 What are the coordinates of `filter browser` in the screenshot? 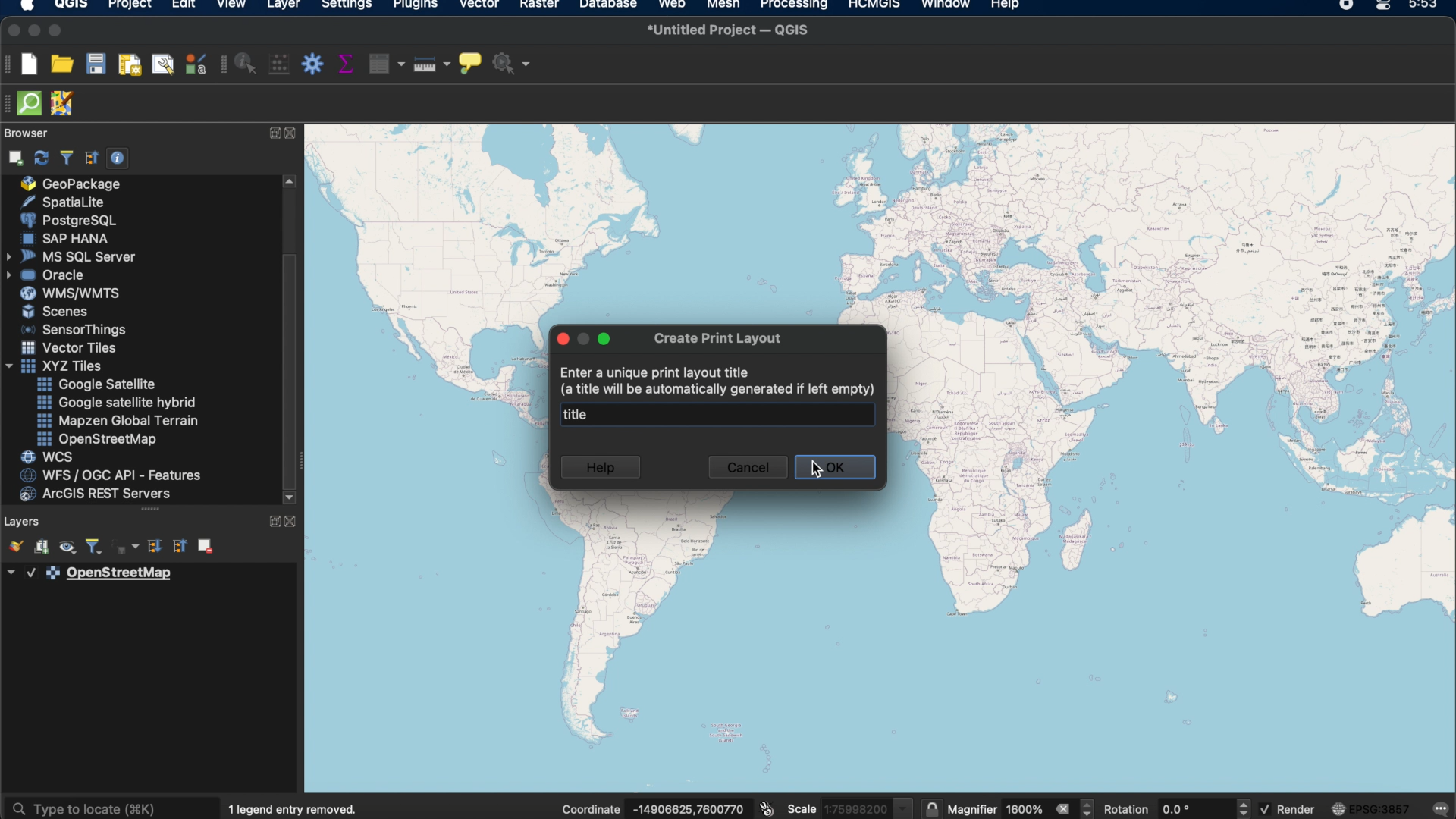 It's located at (67, 156).